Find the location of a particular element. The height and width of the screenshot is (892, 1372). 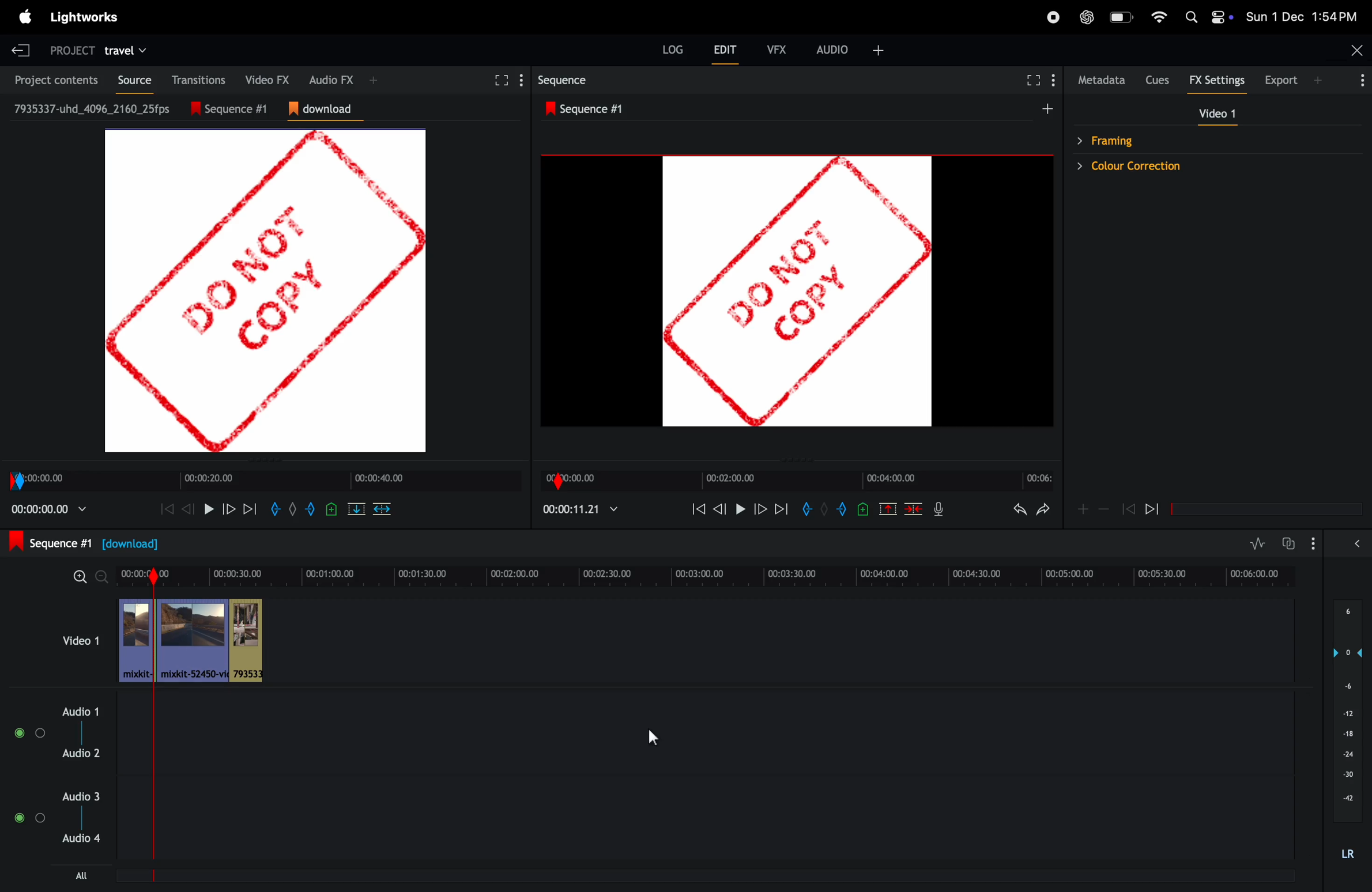

audio pitch scale is located at coordinates (1347, 711).